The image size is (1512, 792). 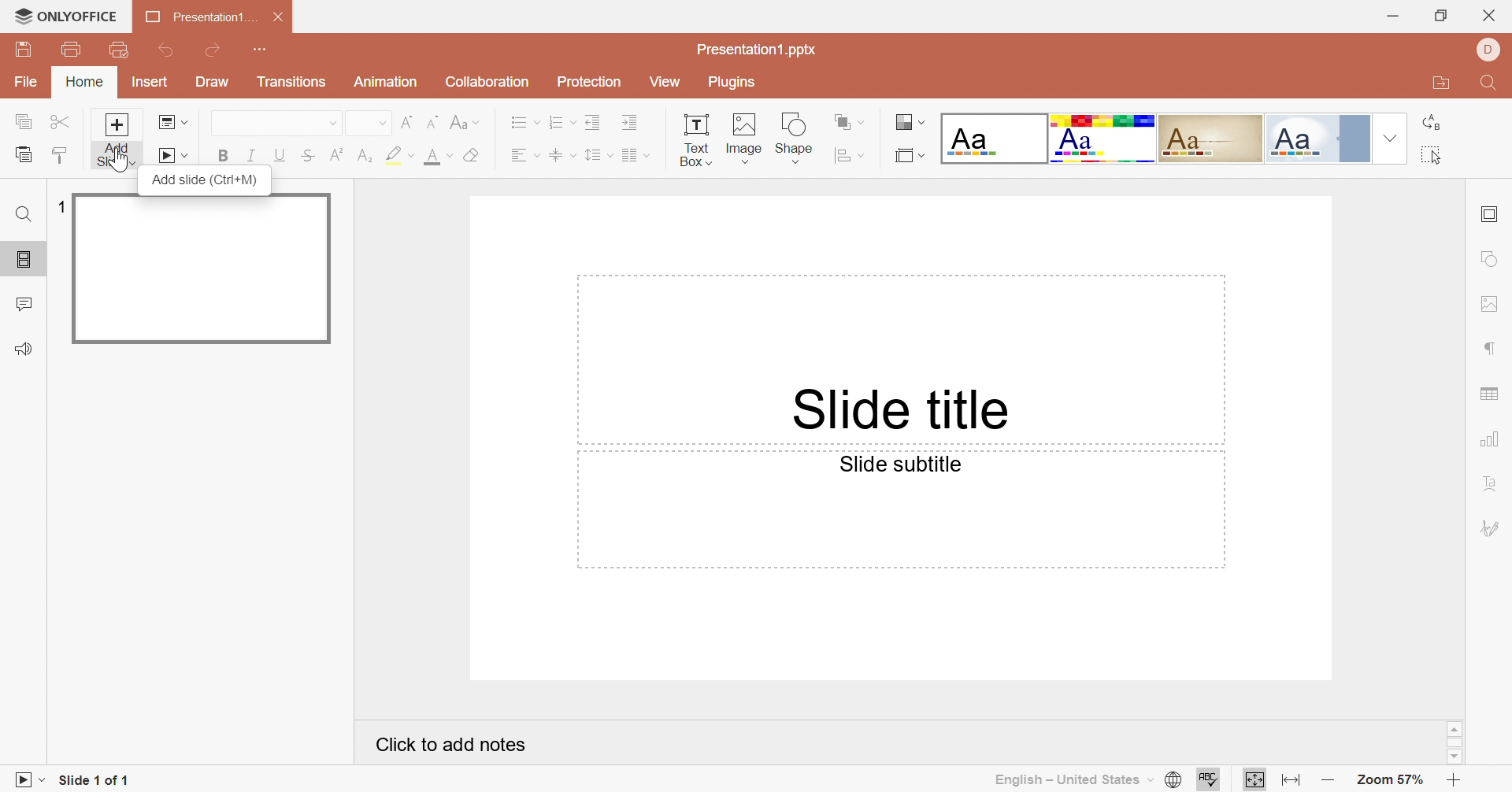 What do you see at coordinates (632, 123) in the screenshot?
I see `Increase Indent` at bounding box center [632, 123].